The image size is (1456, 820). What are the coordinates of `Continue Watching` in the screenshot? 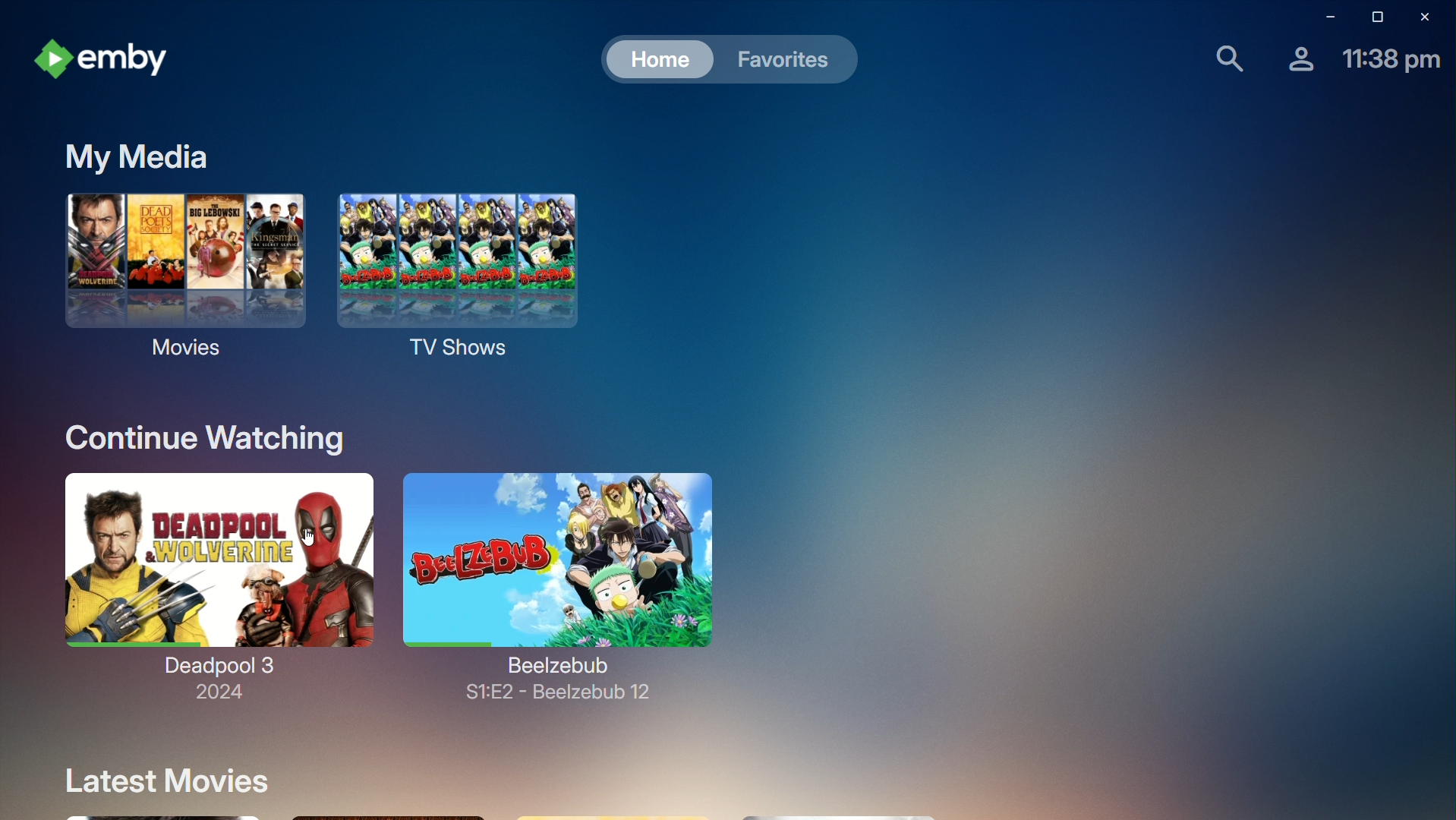 It's located at (201, 439).